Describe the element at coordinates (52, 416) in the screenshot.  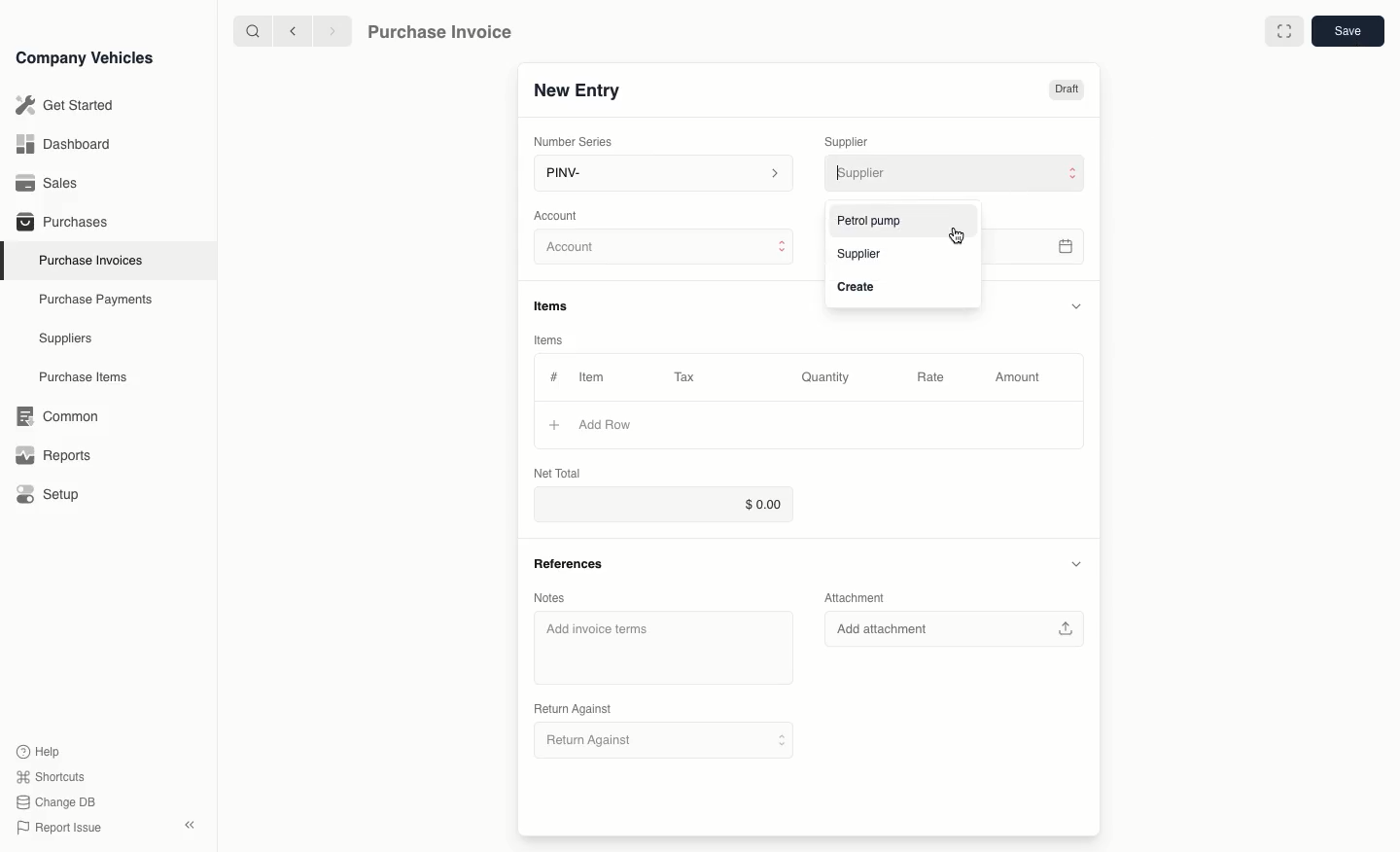
I see `Common` at that location.